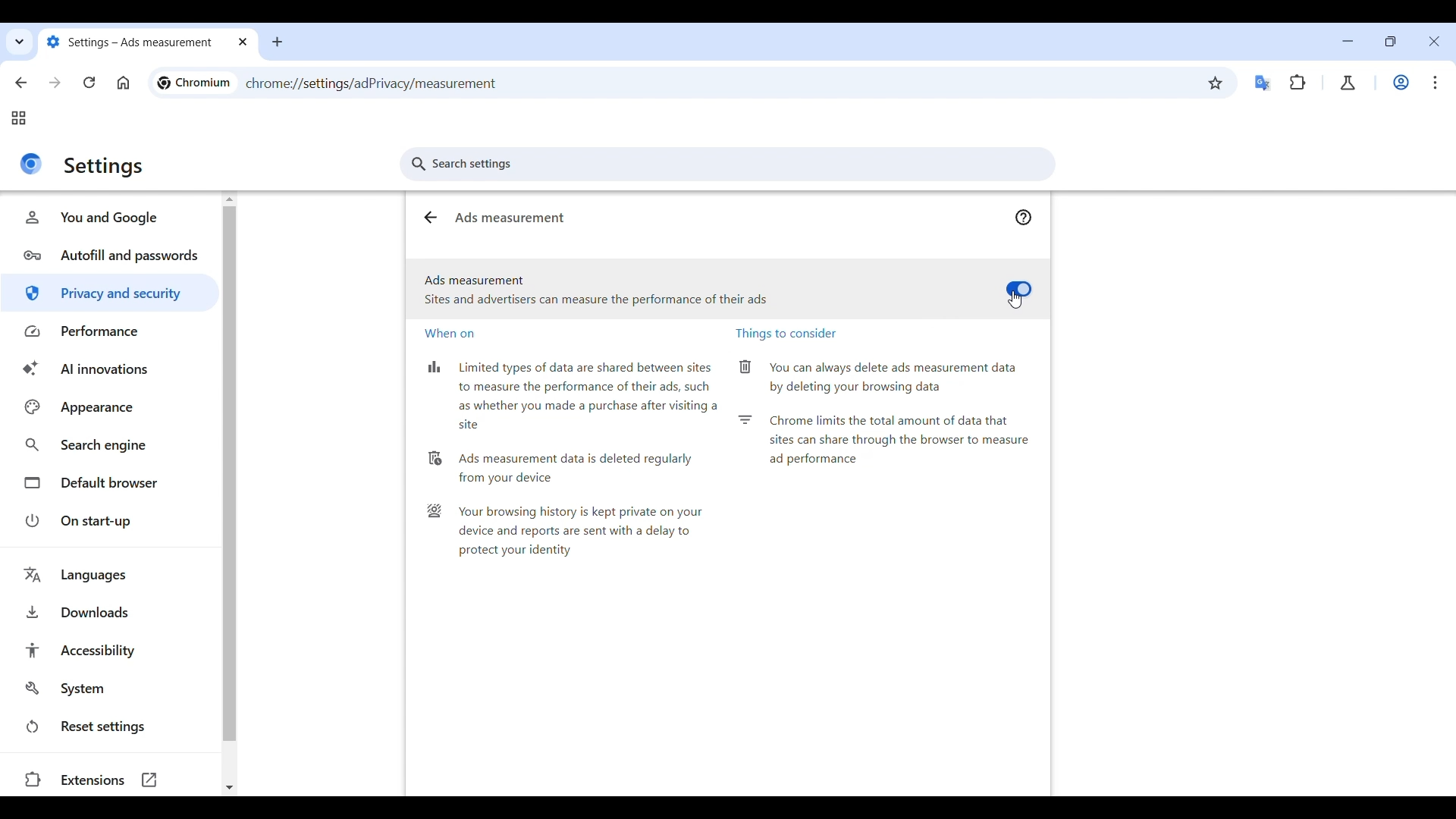  I want to click on Chrome limits the total amount of data that
sites can share through the browser to measure
ad performance, so click(886, 444).